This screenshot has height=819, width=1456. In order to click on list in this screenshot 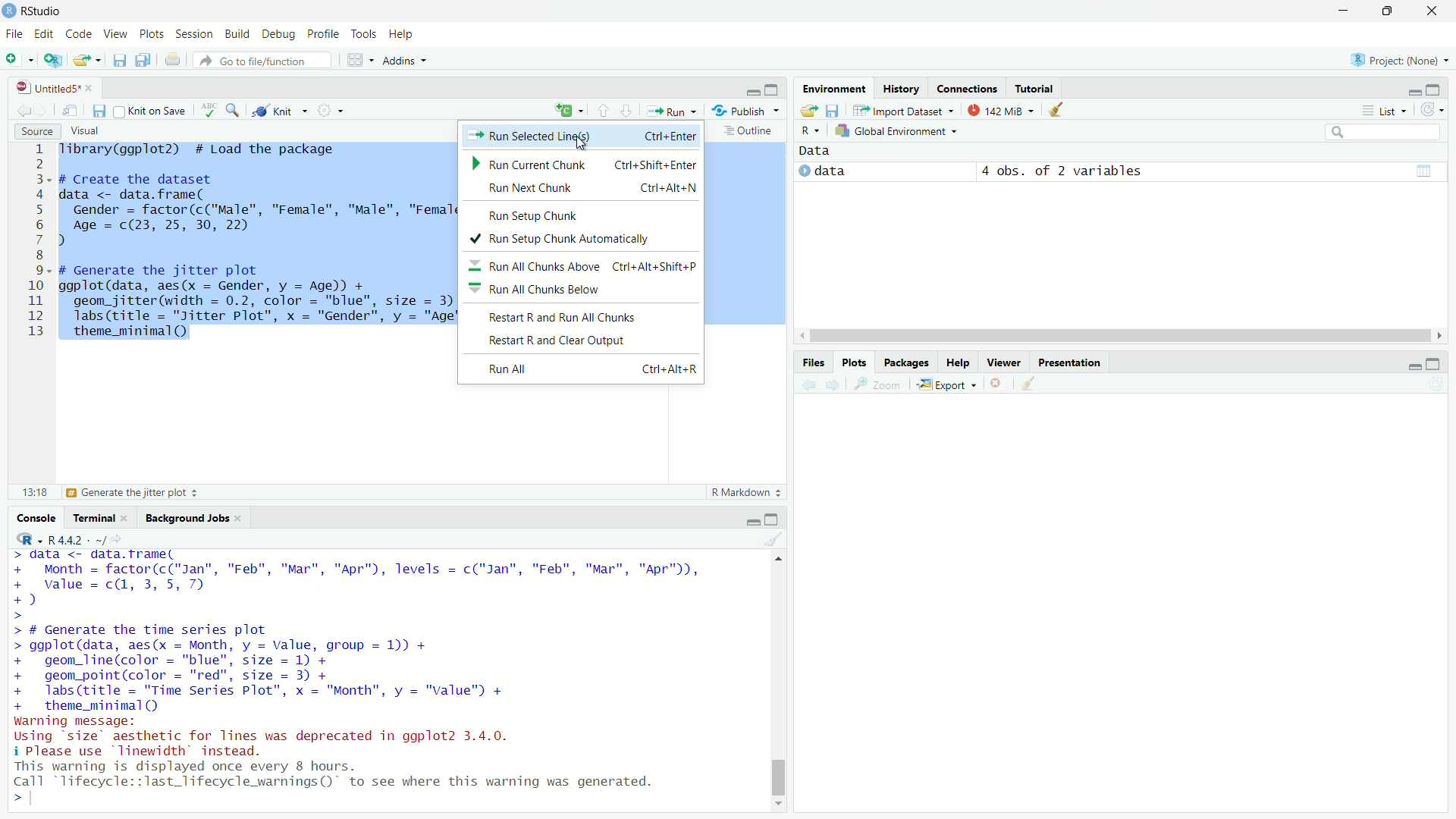, I will do `click(1386, 111)`.